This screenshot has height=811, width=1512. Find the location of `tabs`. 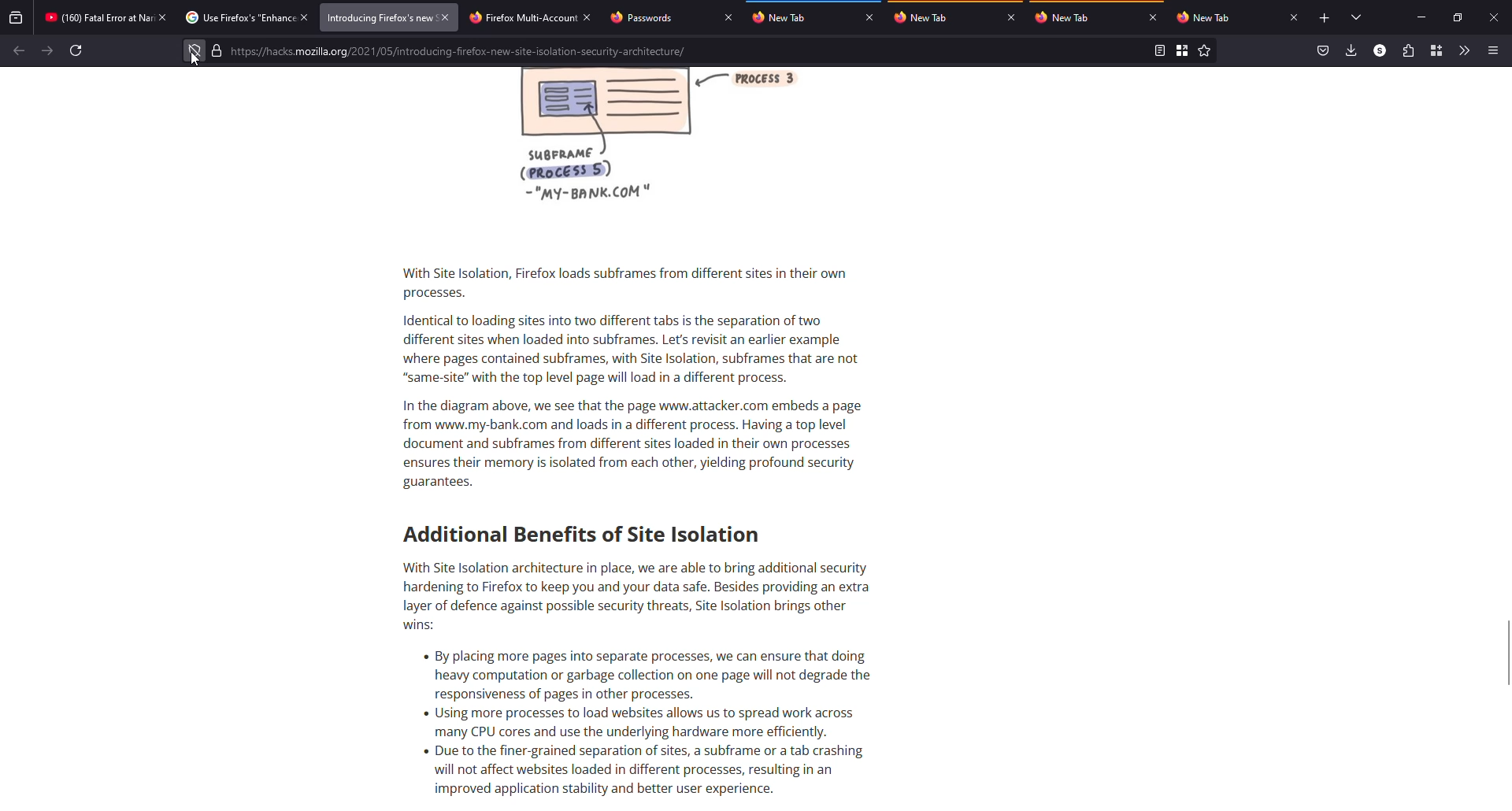

tabs is located at coordinates (1358, 18).